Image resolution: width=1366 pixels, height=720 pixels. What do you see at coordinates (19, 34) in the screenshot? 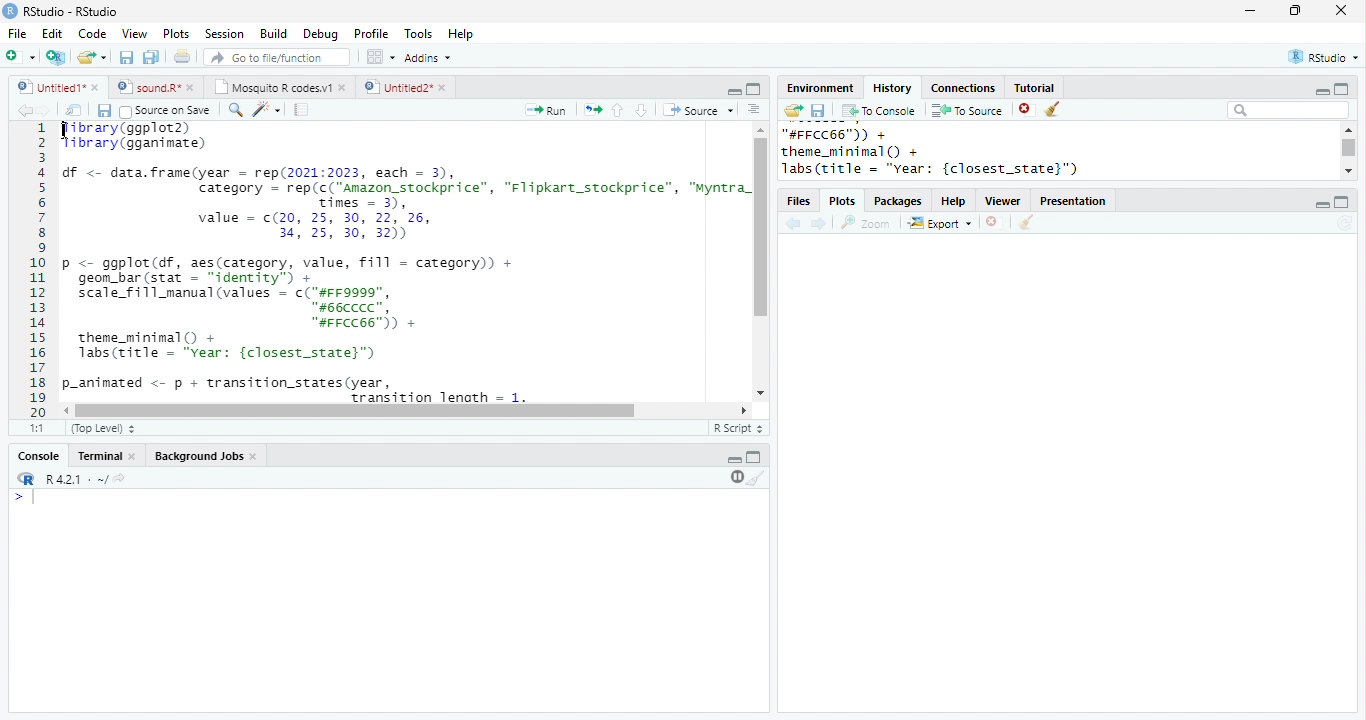
I see `File` at bounding box center [19, 34].